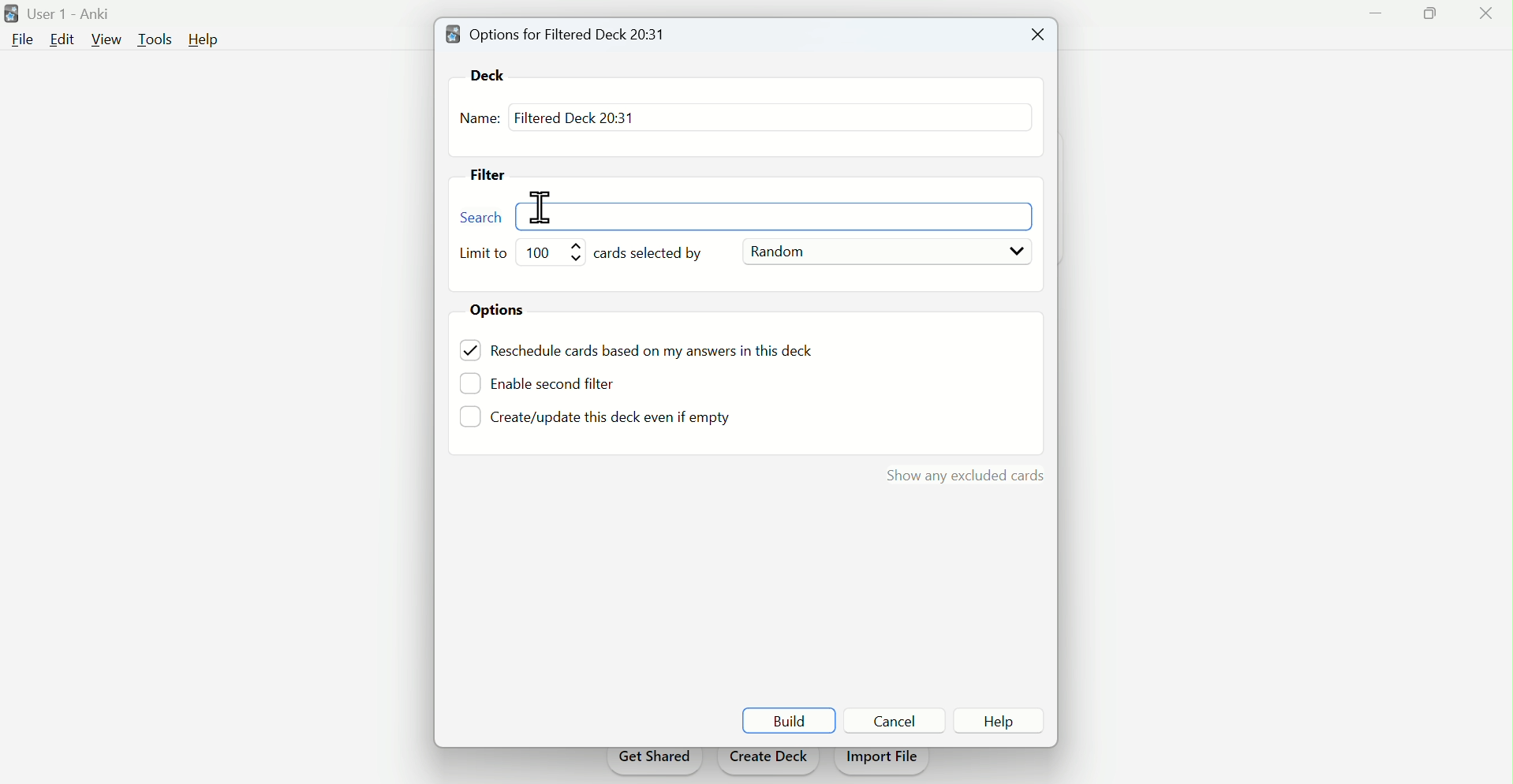  What do you see at coordinates (204, 39) in the screenshot?
I see `Help` at bounding box center [204, 39].